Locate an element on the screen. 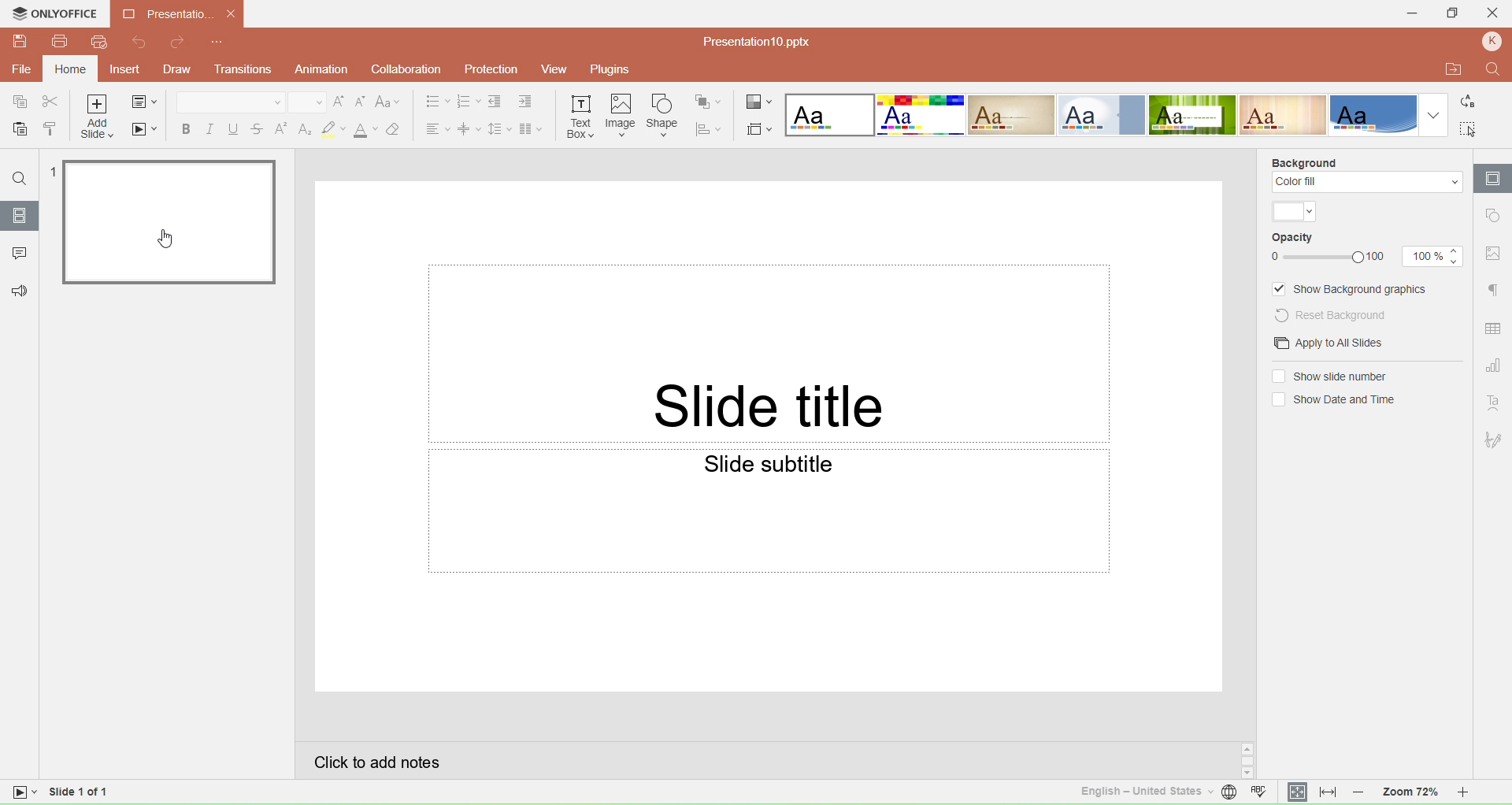 The width and height of the screenshot is (1512, 805). Protection is located at coordinates (487, 69).